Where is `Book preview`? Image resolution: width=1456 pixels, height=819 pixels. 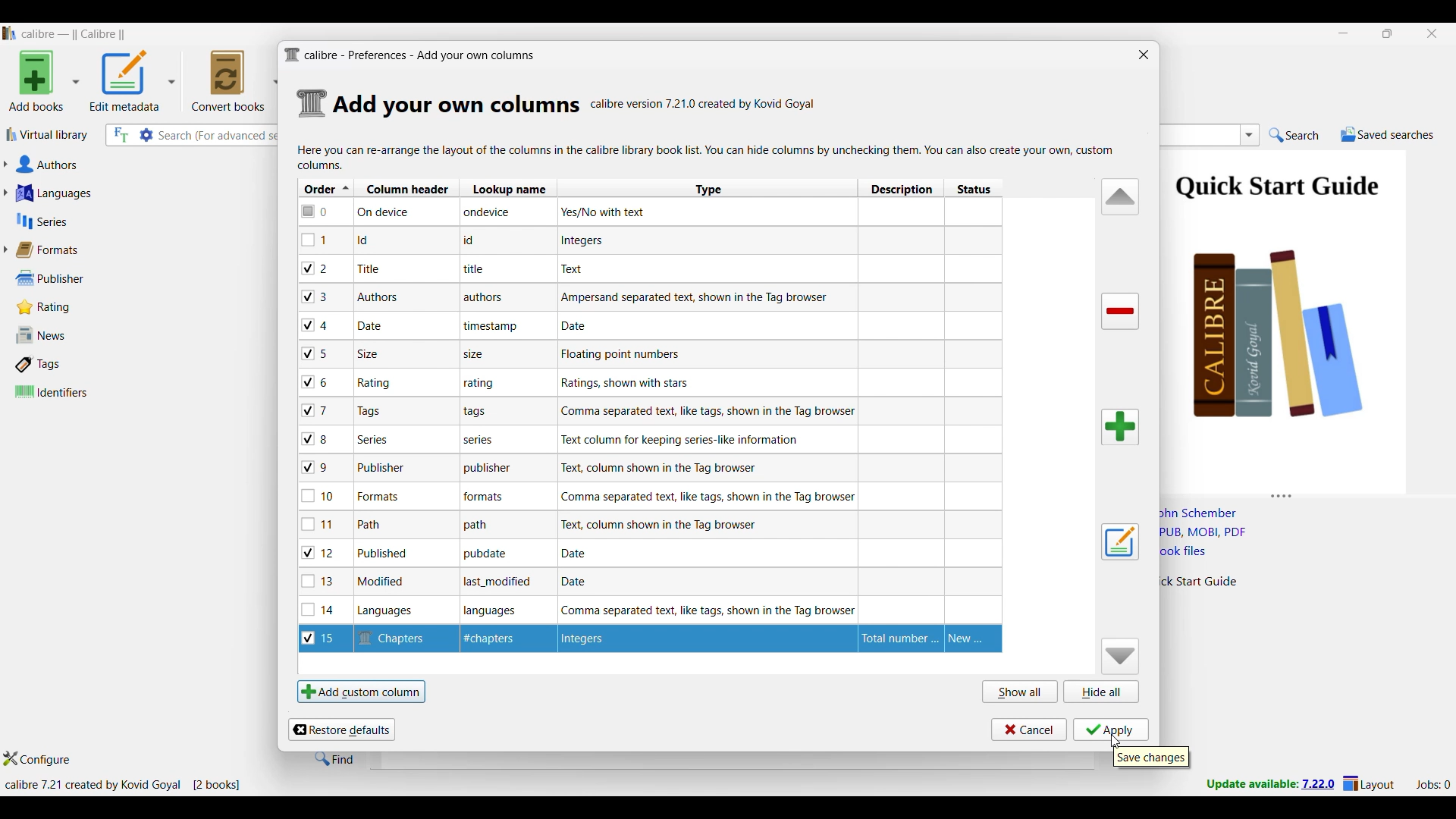 Book preview is located at coordinates (1303, 316).